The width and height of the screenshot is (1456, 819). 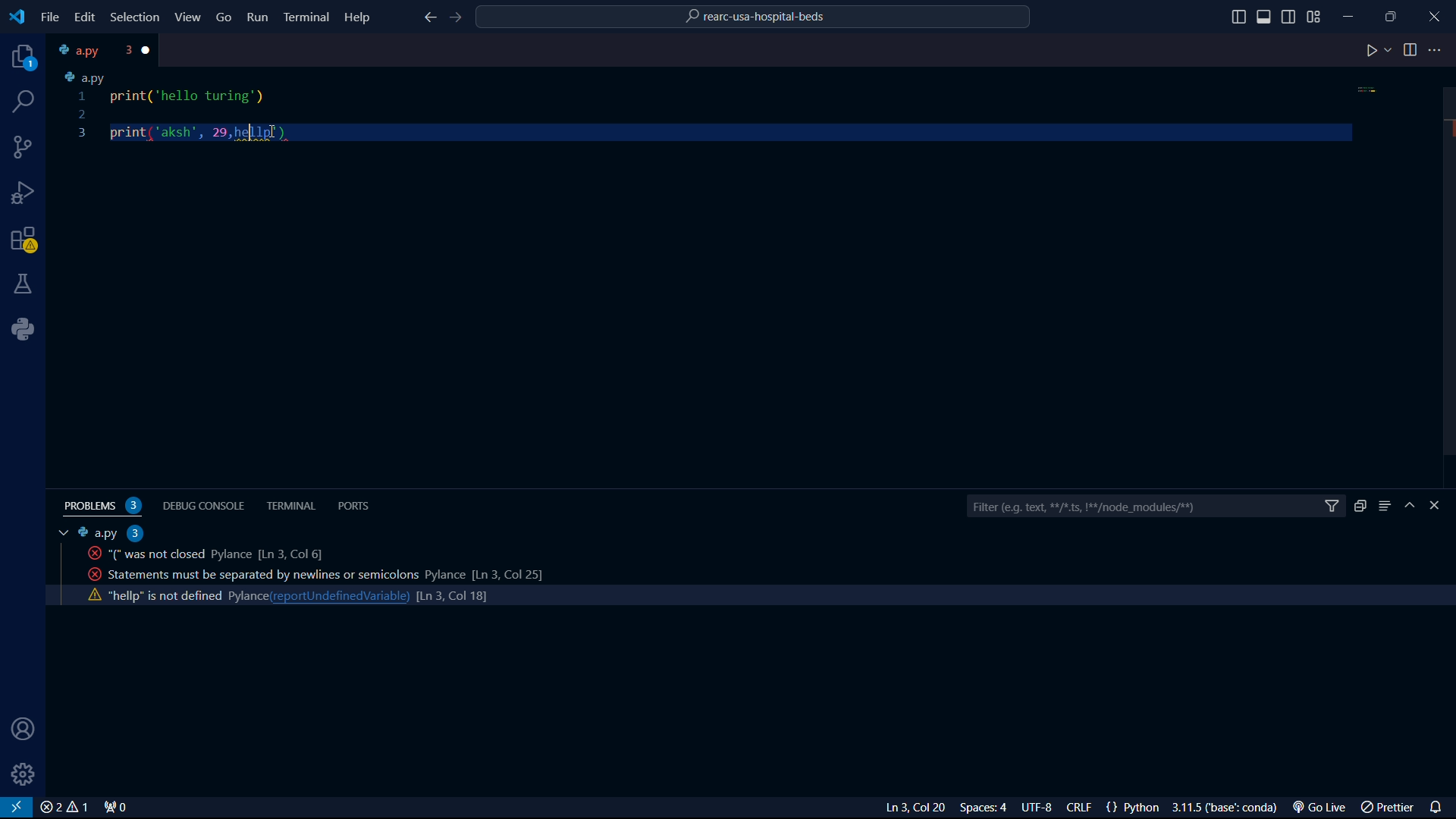 What do you see at coordinates (292, 506) in the screenshot?
I see `terminal` at bounding box center [292, 506].